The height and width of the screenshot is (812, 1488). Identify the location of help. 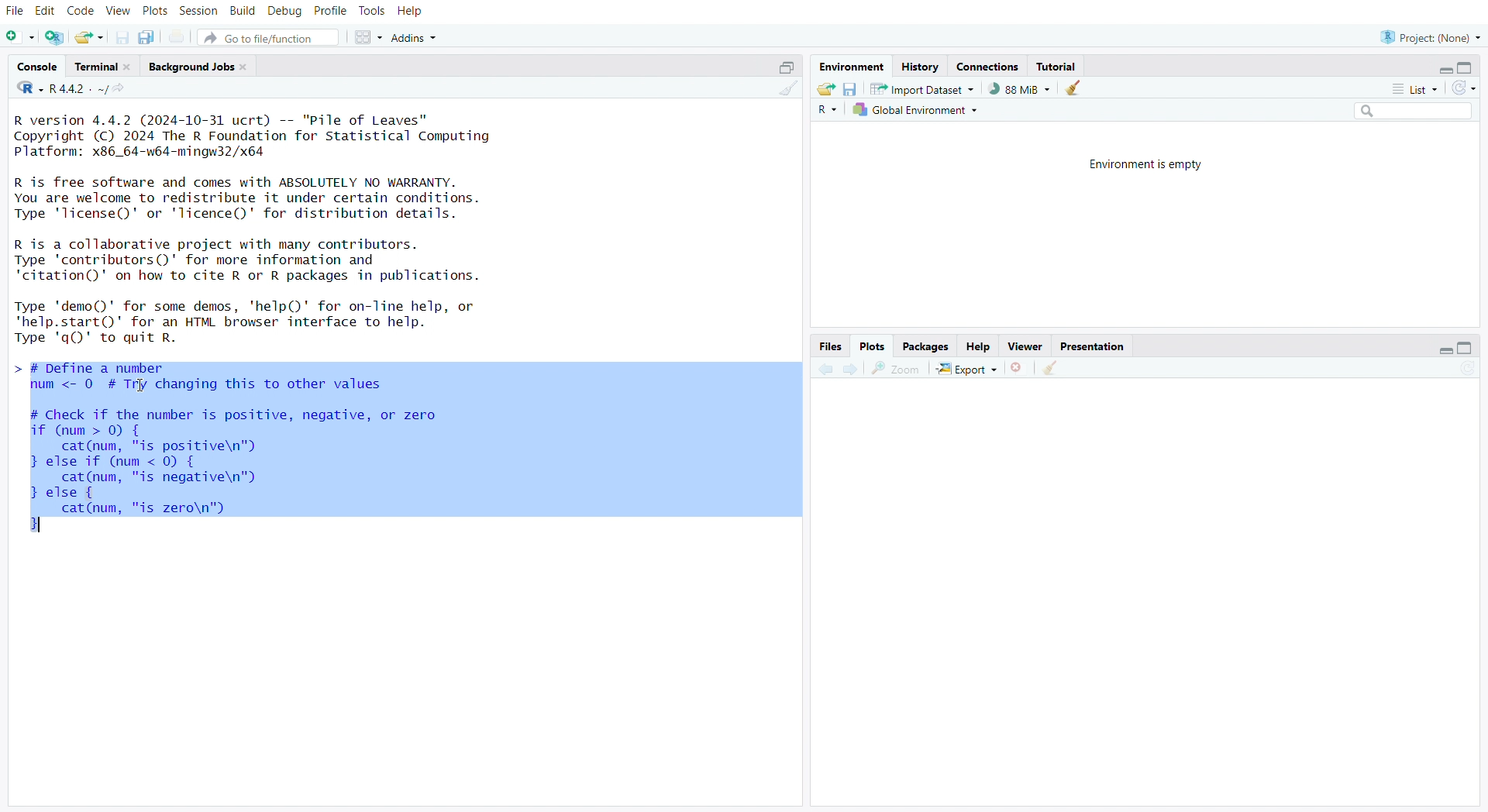
(412, 12).